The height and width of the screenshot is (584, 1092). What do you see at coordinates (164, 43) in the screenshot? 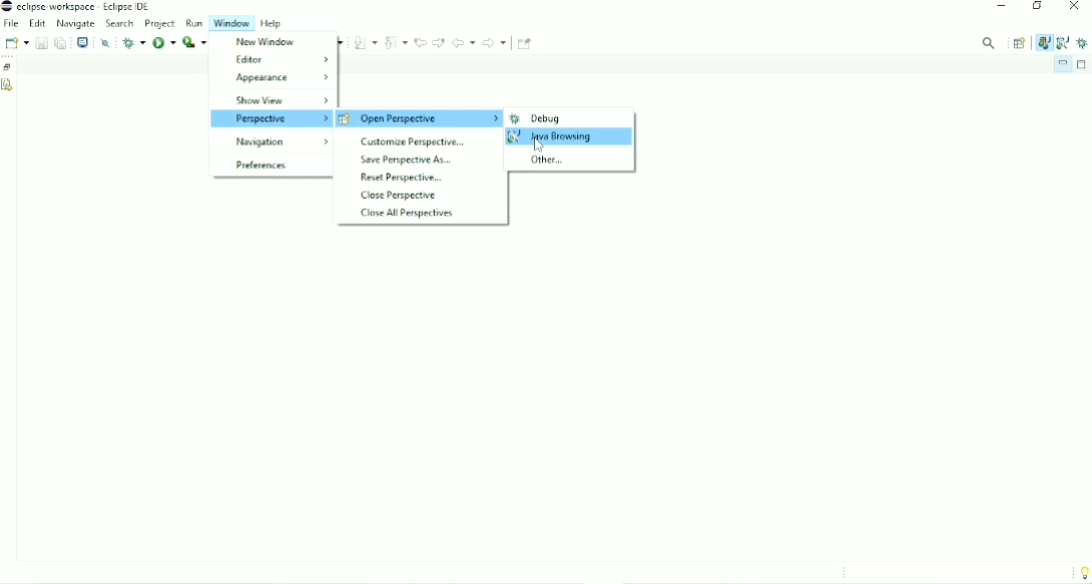
I see `Run` at bounding box center [164, 43].